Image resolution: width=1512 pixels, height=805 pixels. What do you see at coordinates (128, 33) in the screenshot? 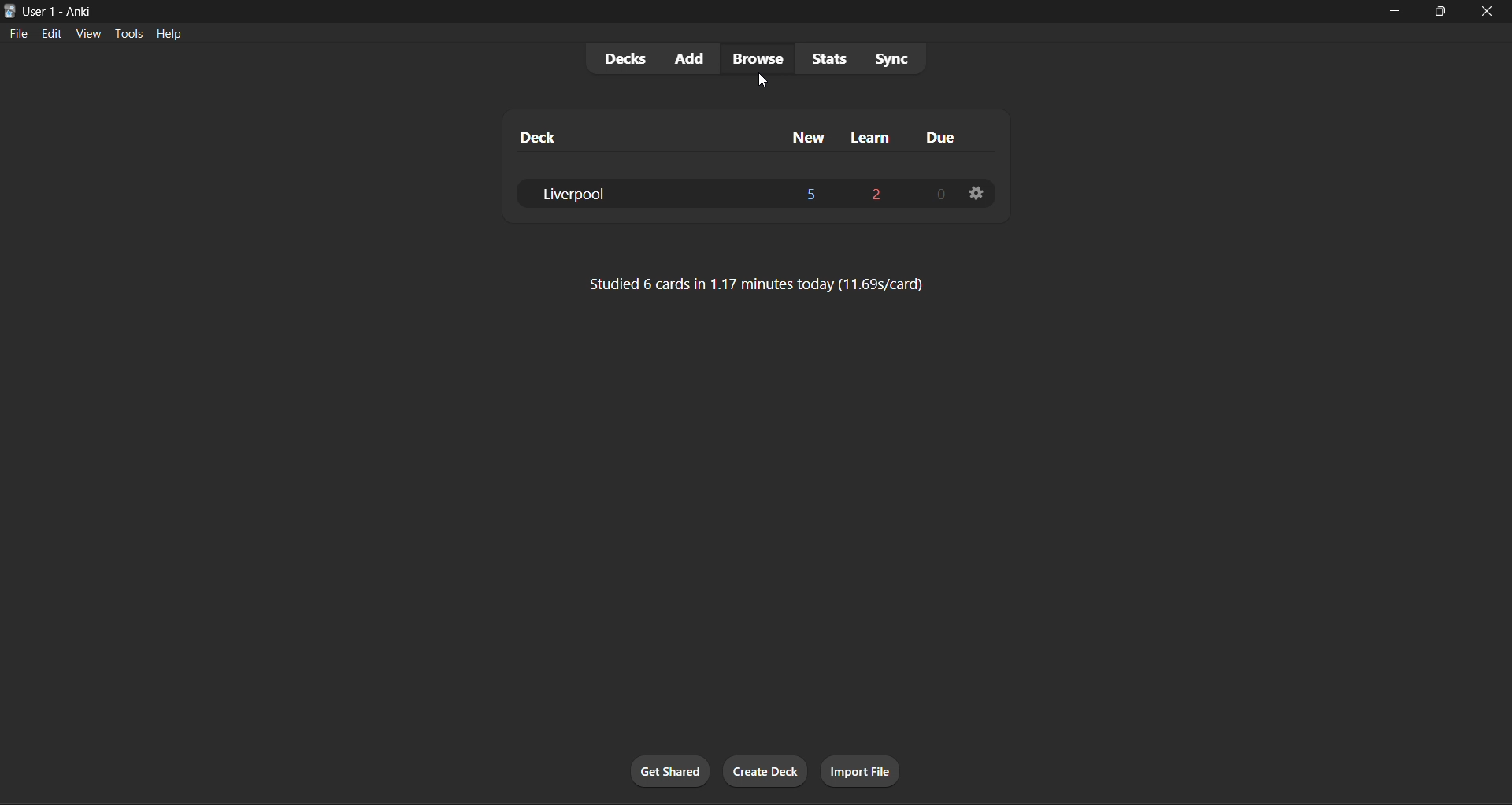
I see `tools` at bounding box center [128, 33].